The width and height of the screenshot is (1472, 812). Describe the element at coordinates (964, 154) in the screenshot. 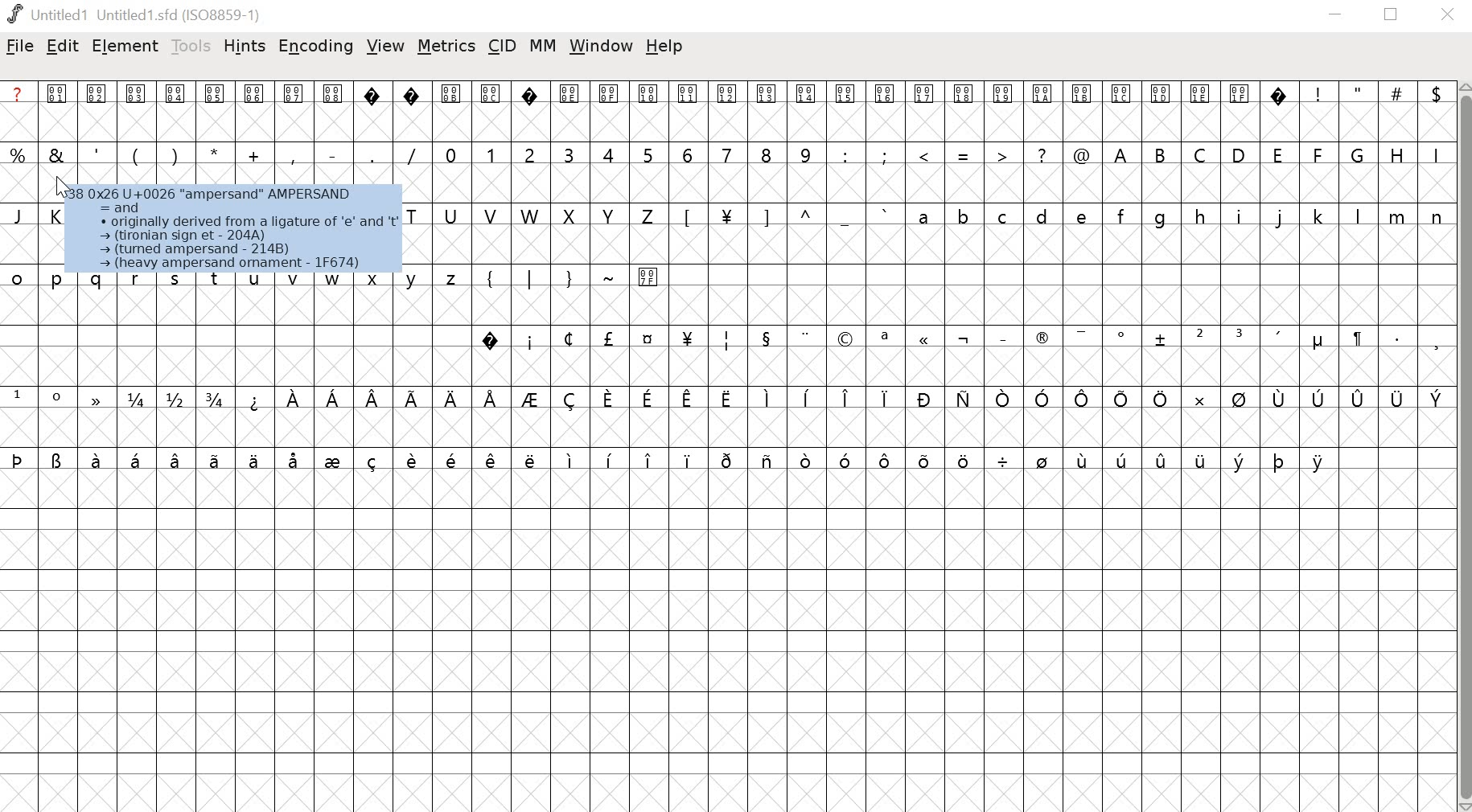

I see `=` at that location.